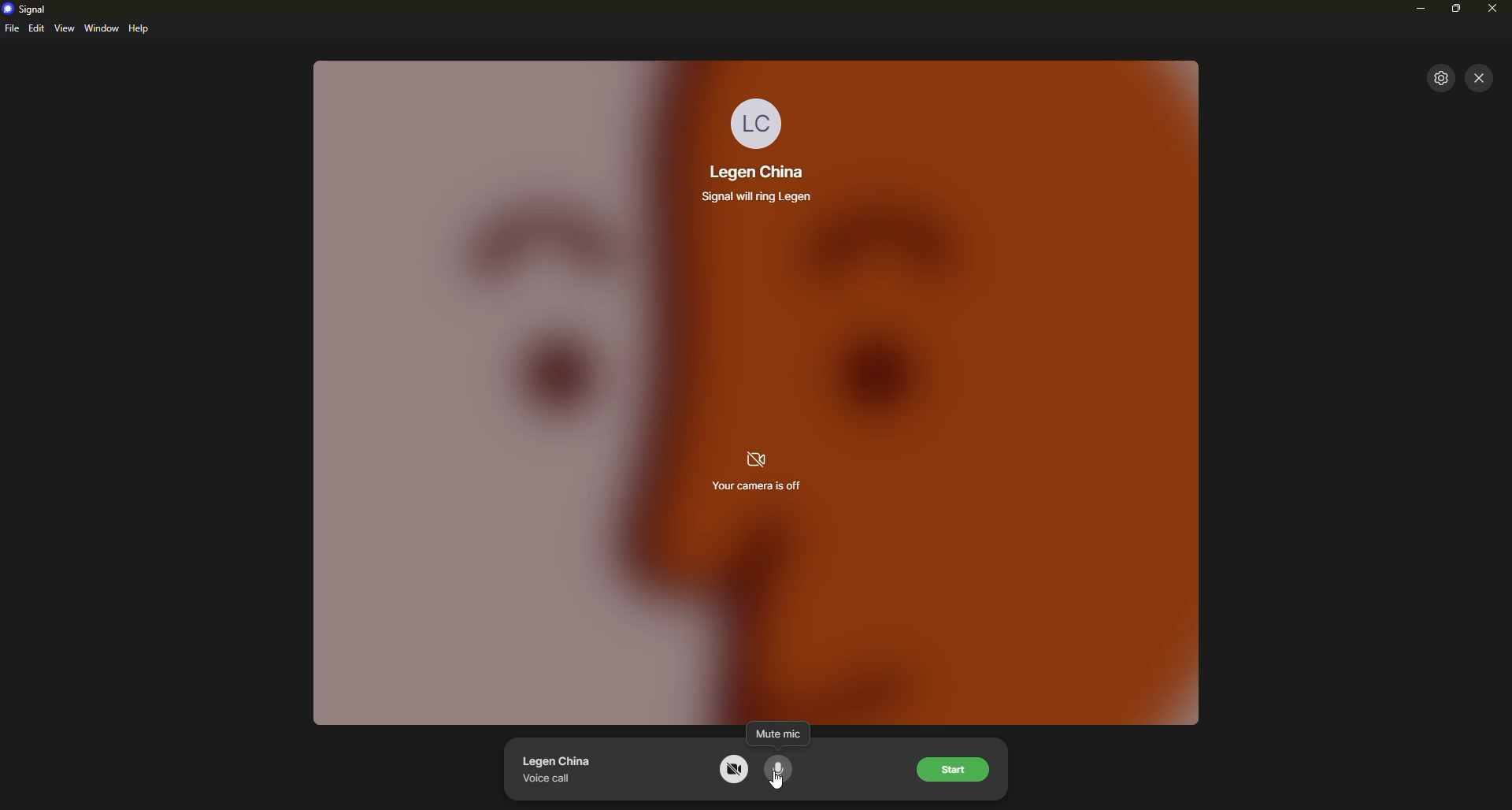 The height and width of the screenshot is (810, 1512). Describe the element at coordinates (777, 782) in the screenshot. I see `cursor` at that location.